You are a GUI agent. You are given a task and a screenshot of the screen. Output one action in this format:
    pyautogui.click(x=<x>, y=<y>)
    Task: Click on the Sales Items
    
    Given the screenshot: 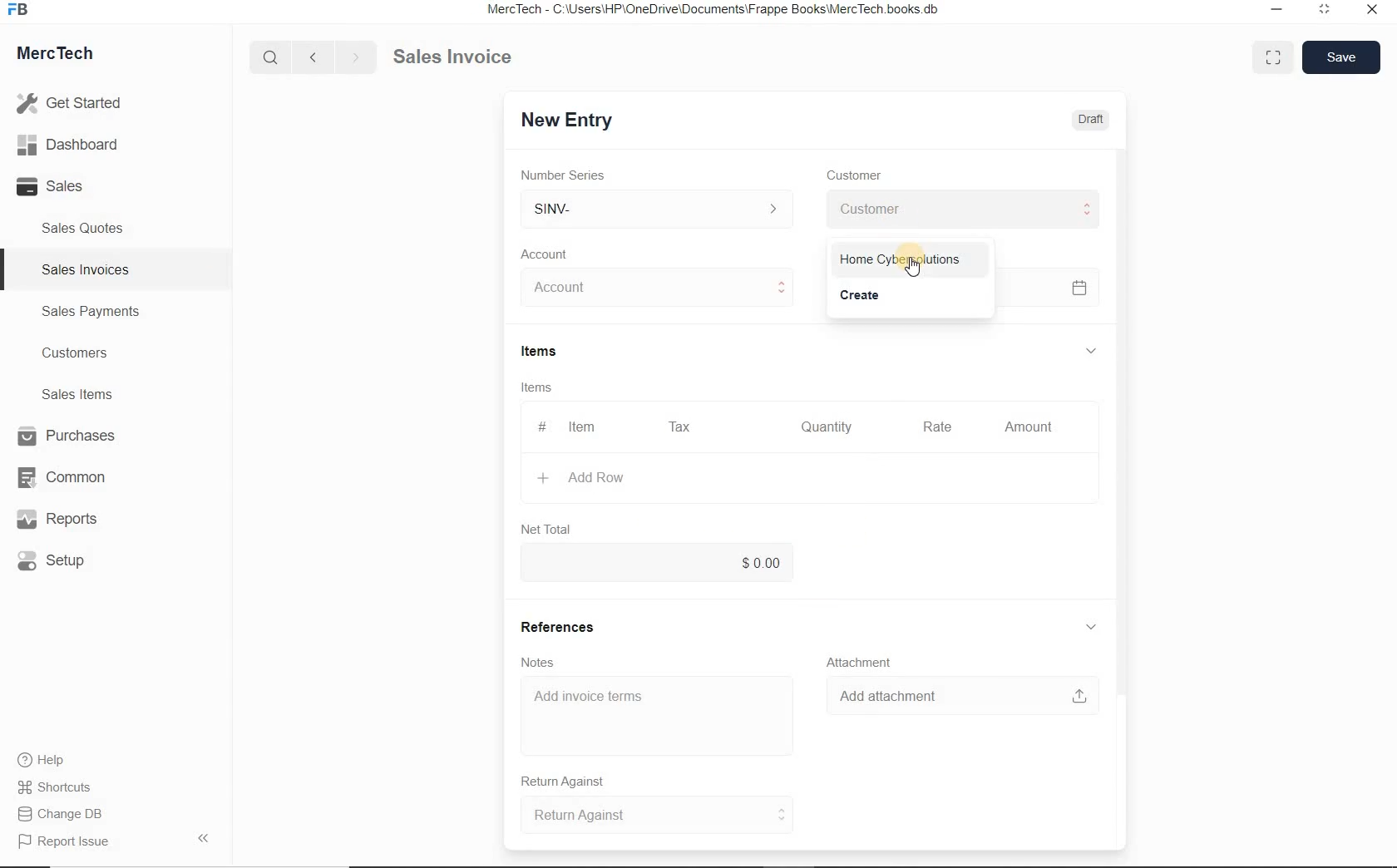 What is the action you would take?
    pyautogui.click(x=88, y=394)
    